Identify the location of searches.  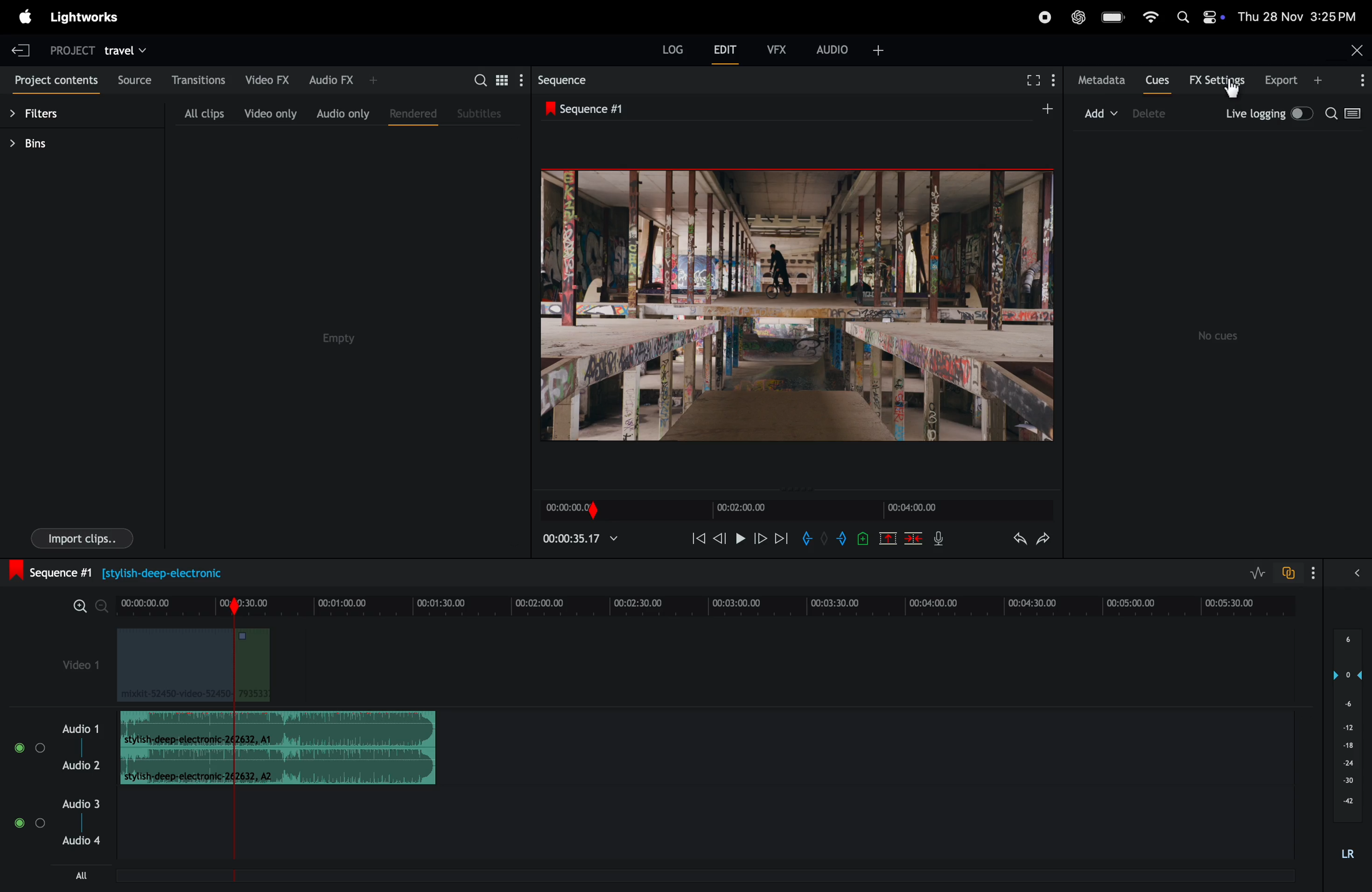
(1347, 114).